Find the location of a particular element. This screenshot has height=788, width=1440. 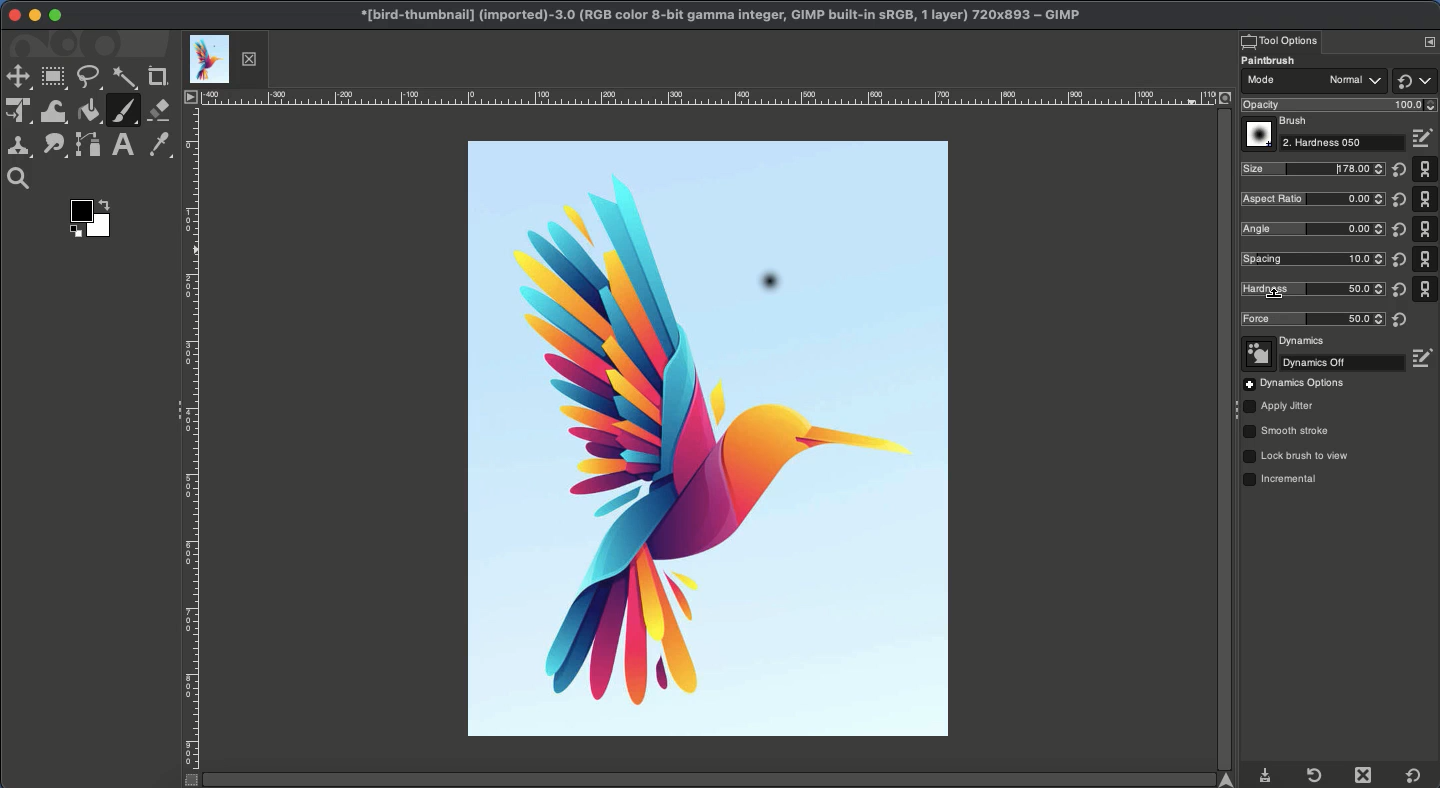

Incremental is located at coordinates (1285, 481).